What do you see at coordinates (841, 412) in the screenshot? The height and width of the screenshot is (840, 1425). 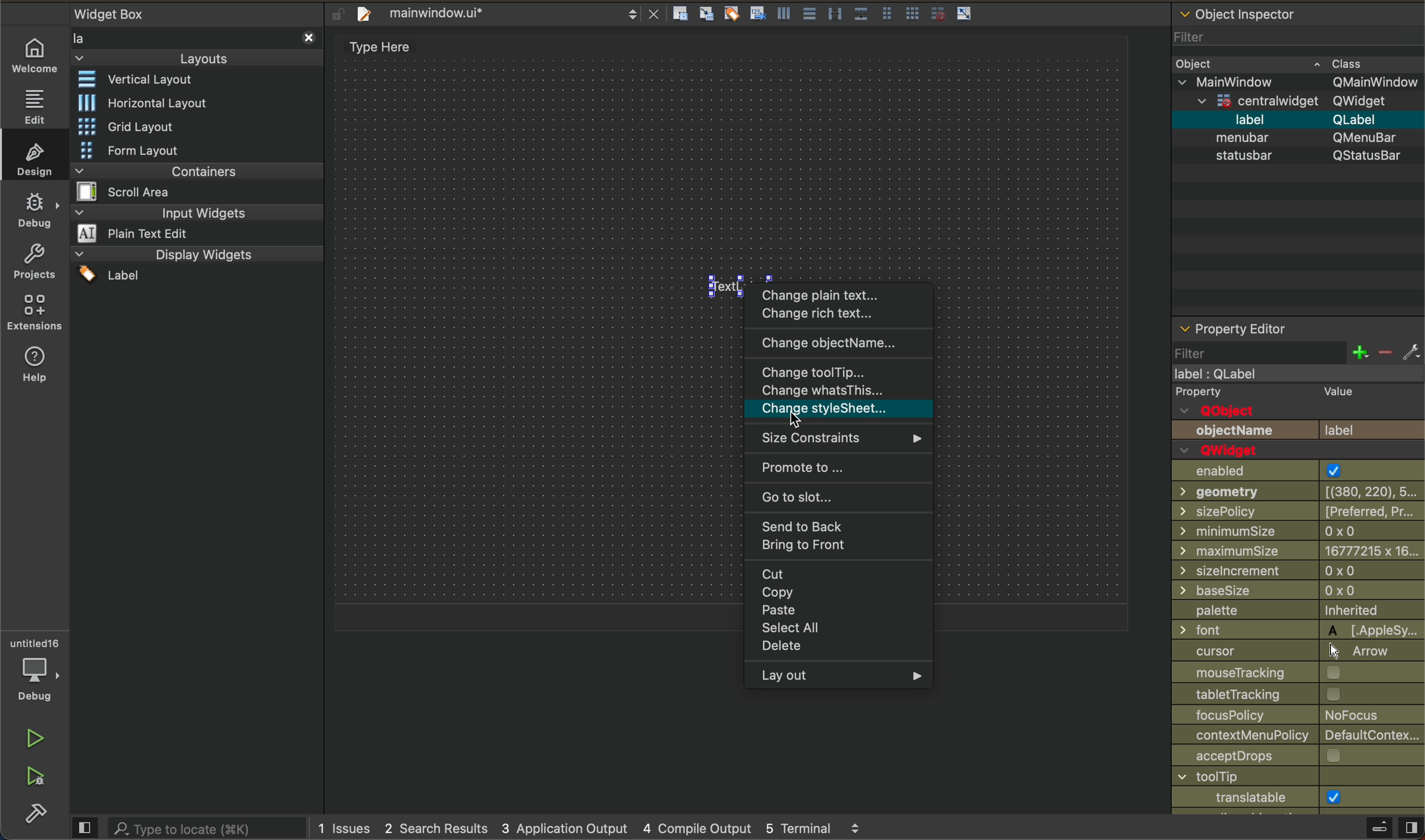 I see `` at bounding box center [841, 412].